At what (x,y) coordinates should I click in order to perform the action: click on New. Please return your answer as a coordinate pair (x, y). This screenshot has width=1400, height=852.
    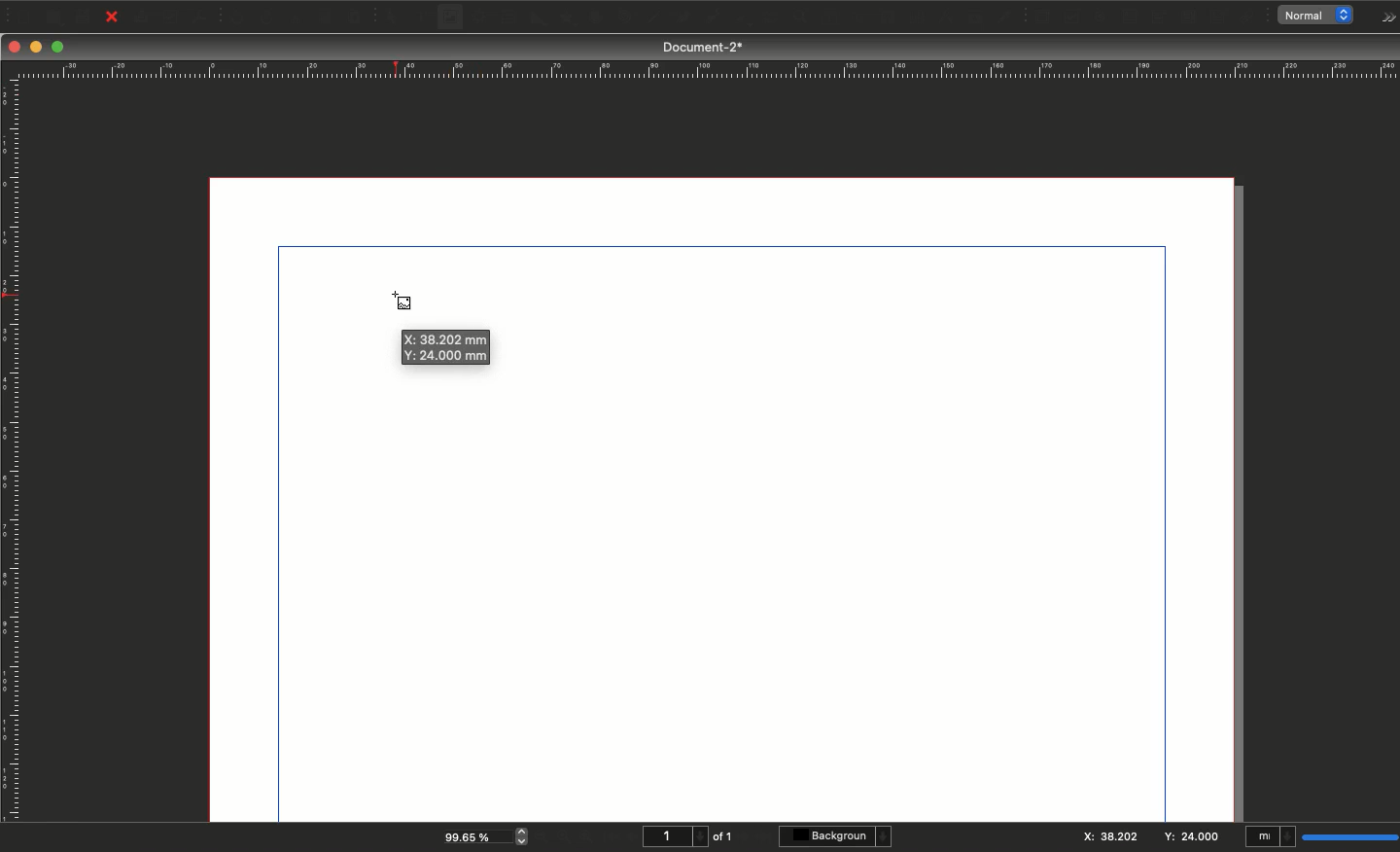
    Looking at the image, I should click on (21, 15).